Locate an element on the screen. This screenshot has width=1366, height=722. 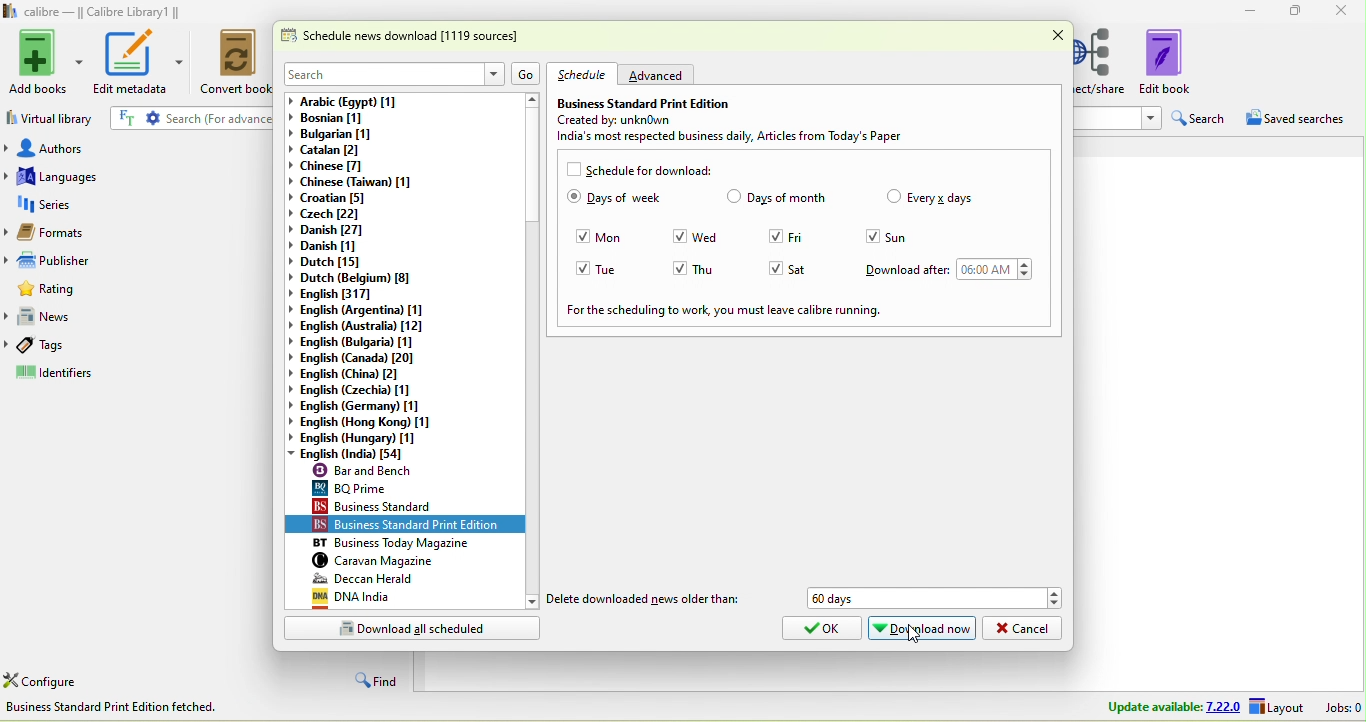
publishers is located at coordinates (137, 260).